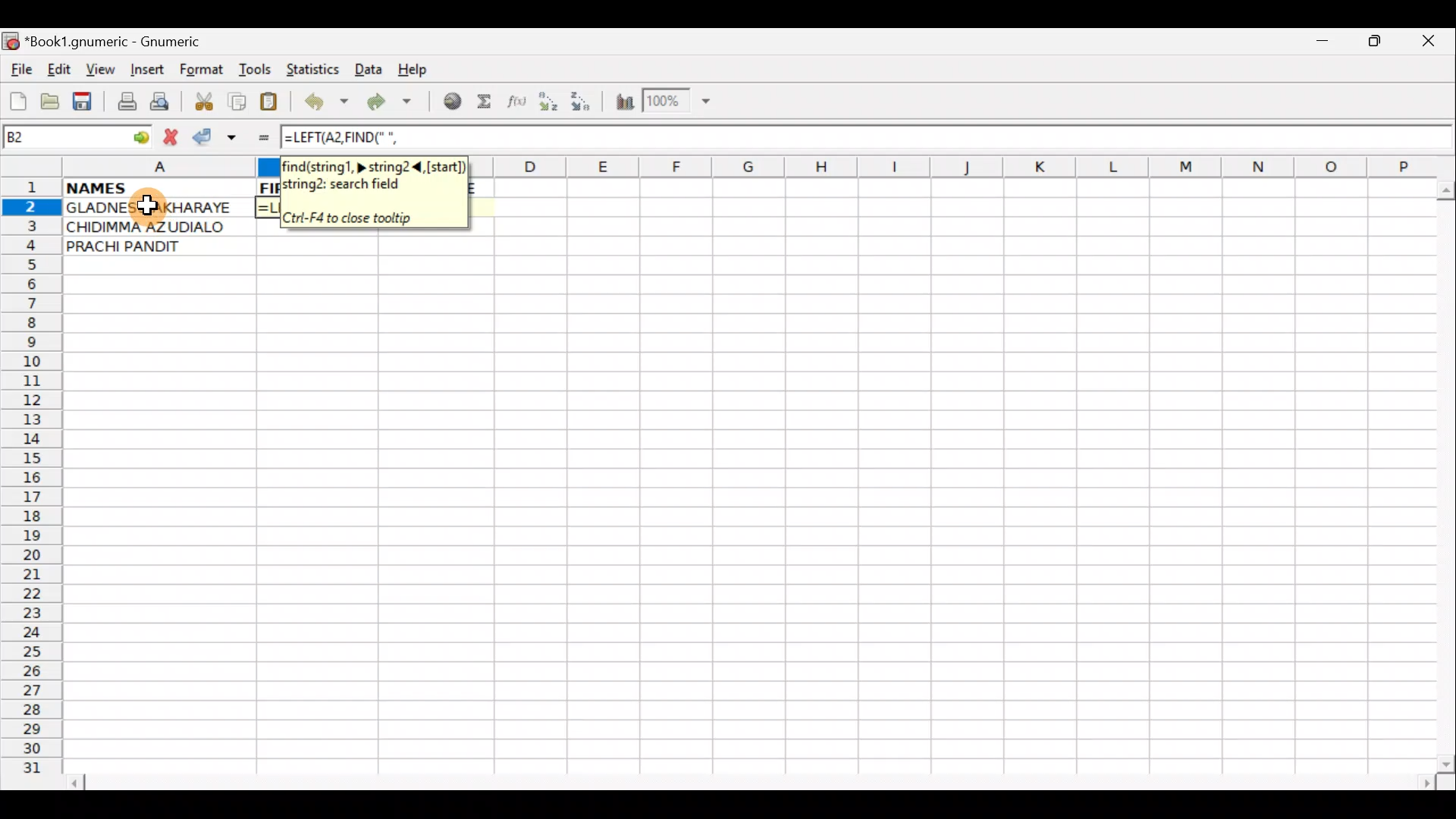  I want to click on Cursor on cell A2, so click(146, 207).